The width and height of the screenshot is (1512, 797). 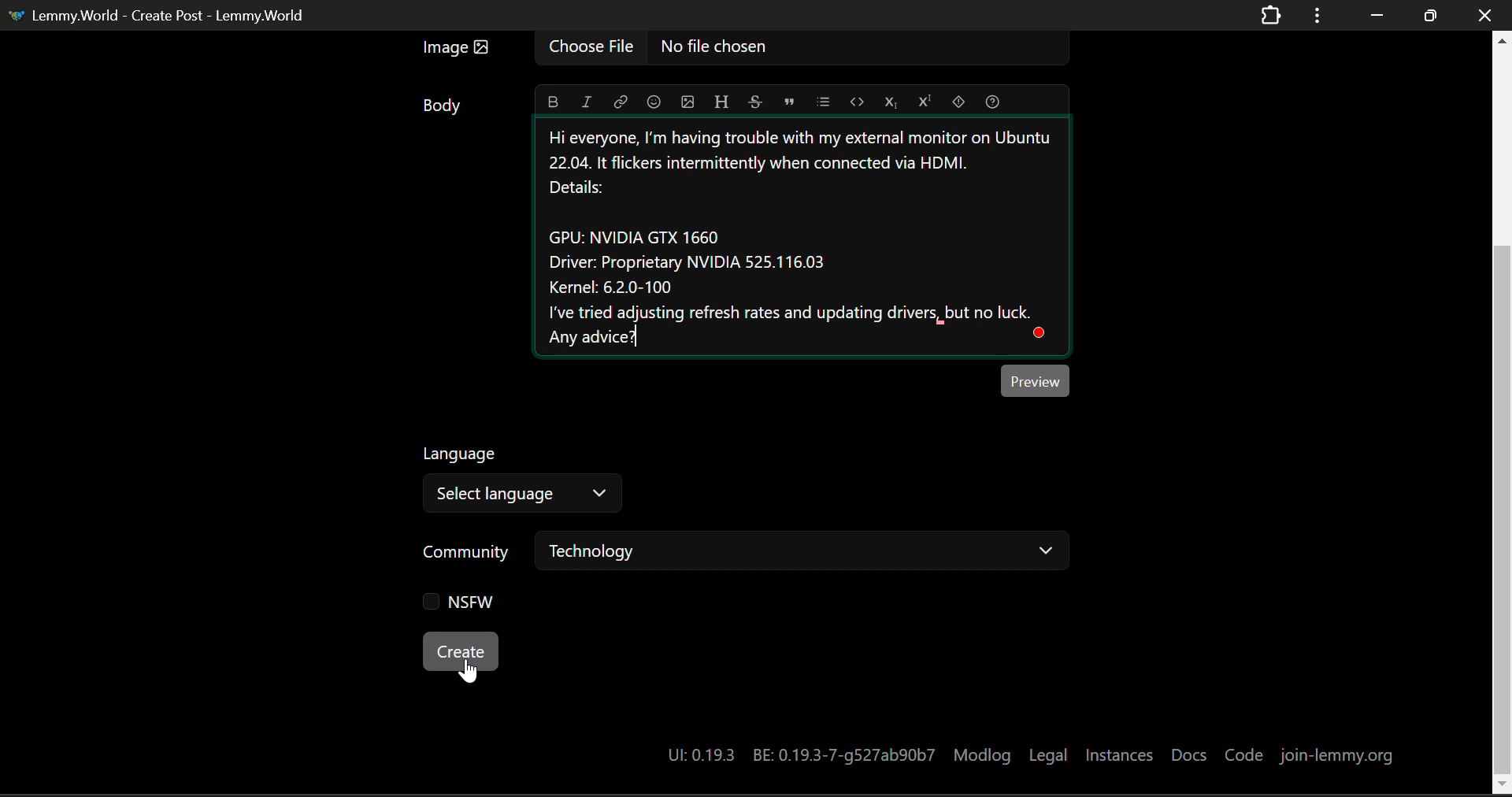 What do you see at coordinates (653, 101) in the screenshot?
I see `Insert Emoji` at bounding box center [653, 101].